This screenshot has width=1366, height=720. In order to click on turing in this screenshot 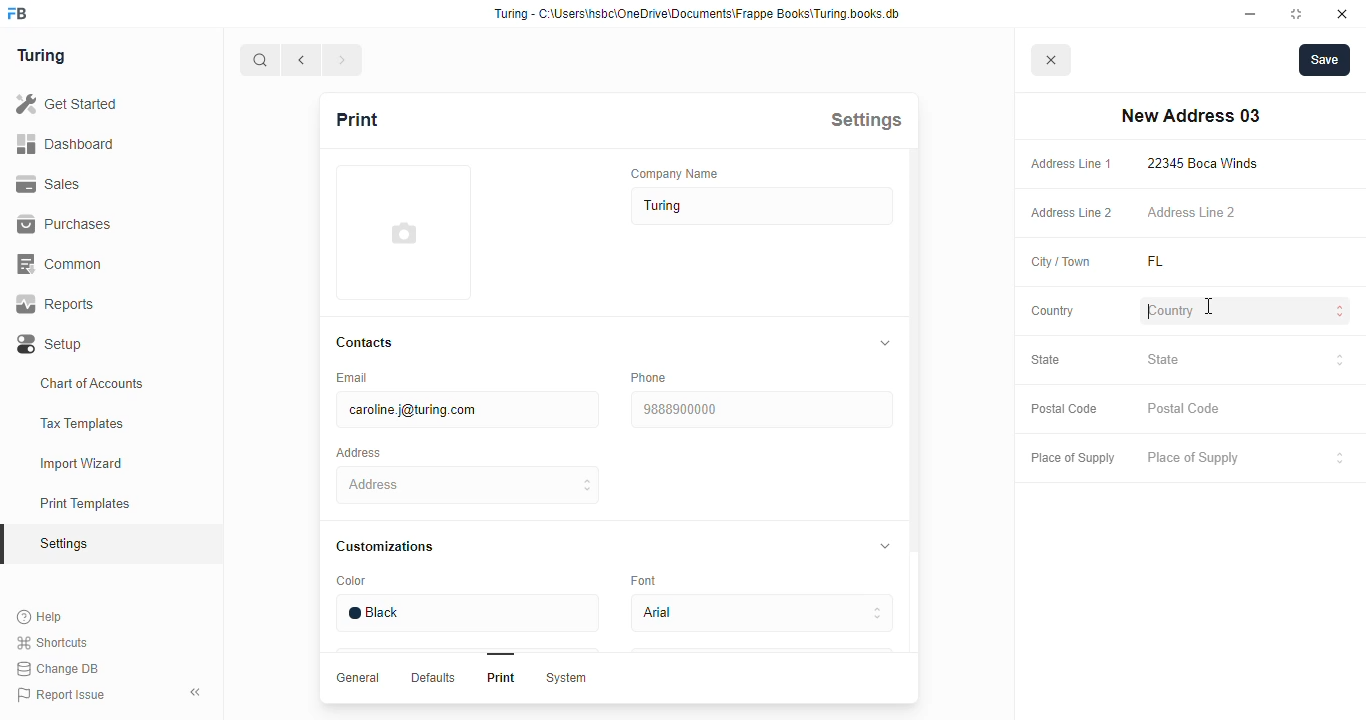, I will do `click(40, 55)`.